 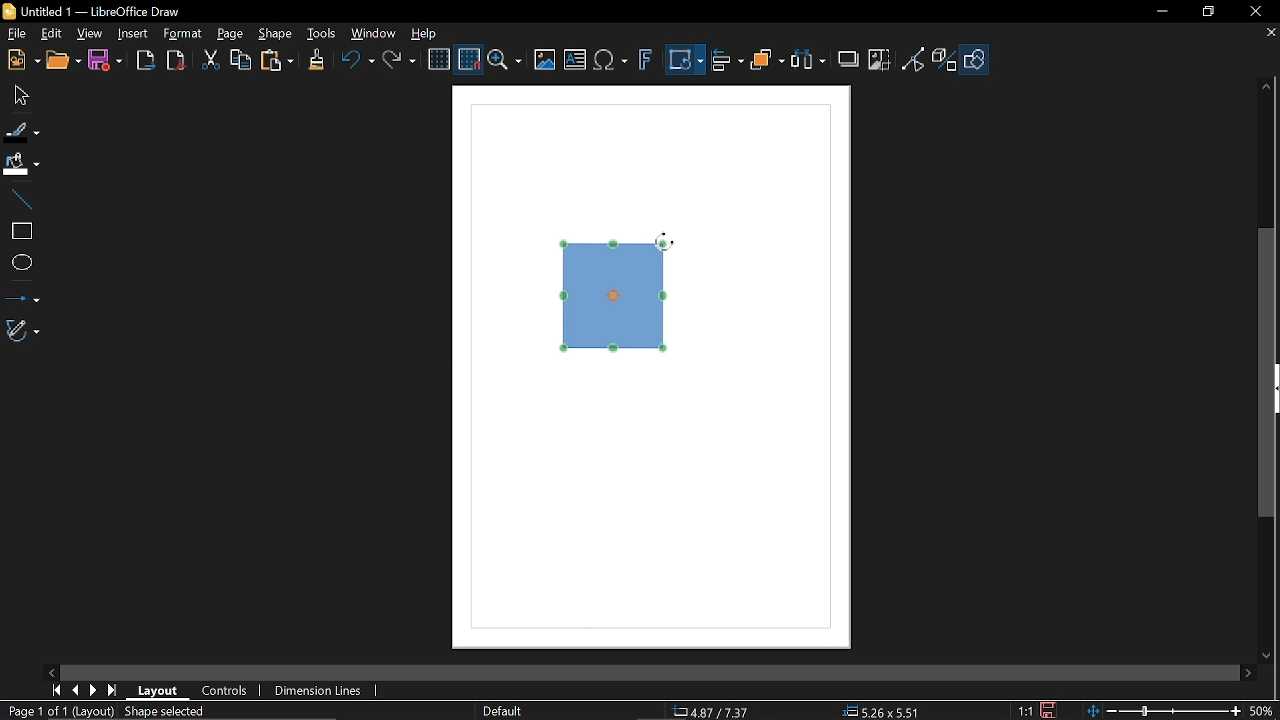 What do you see at coordinates (182, 34) in the screenshot?
I see `Format` at bounding box center [182, 34].